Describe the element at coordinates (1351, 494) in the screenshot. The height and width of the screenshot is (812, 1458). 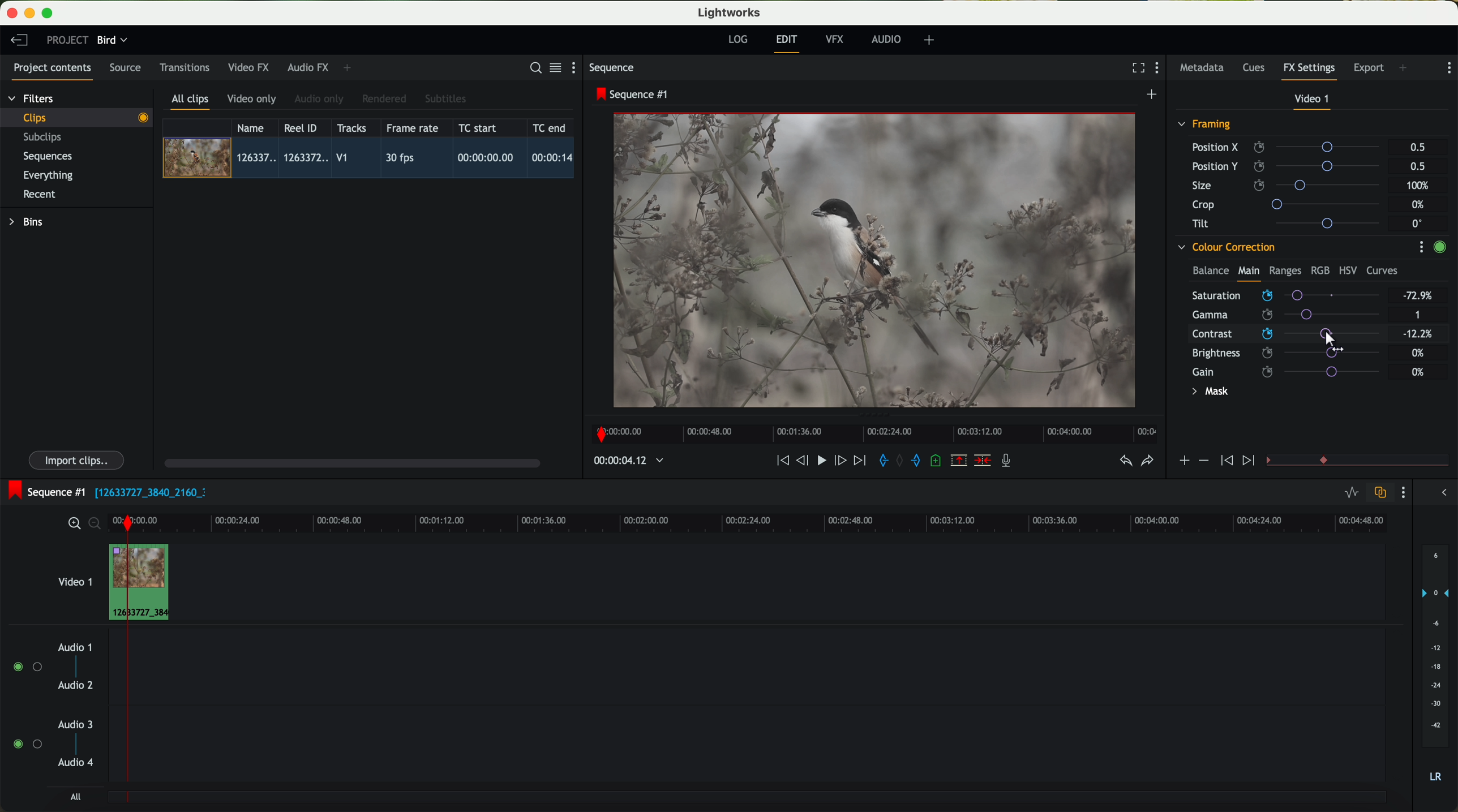
I see `toggle audio levels editing` at that location.